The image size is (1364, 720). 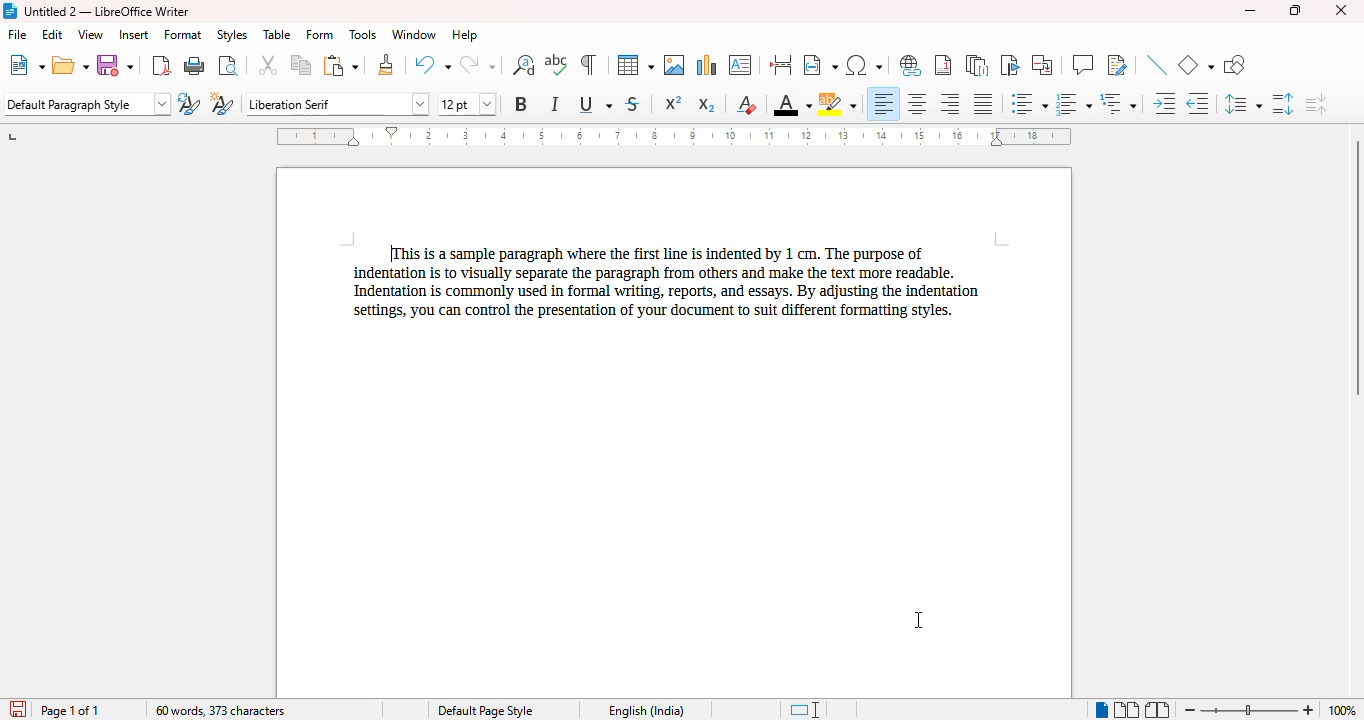 I want to click on insert comment, so click(x=1082, y=64).